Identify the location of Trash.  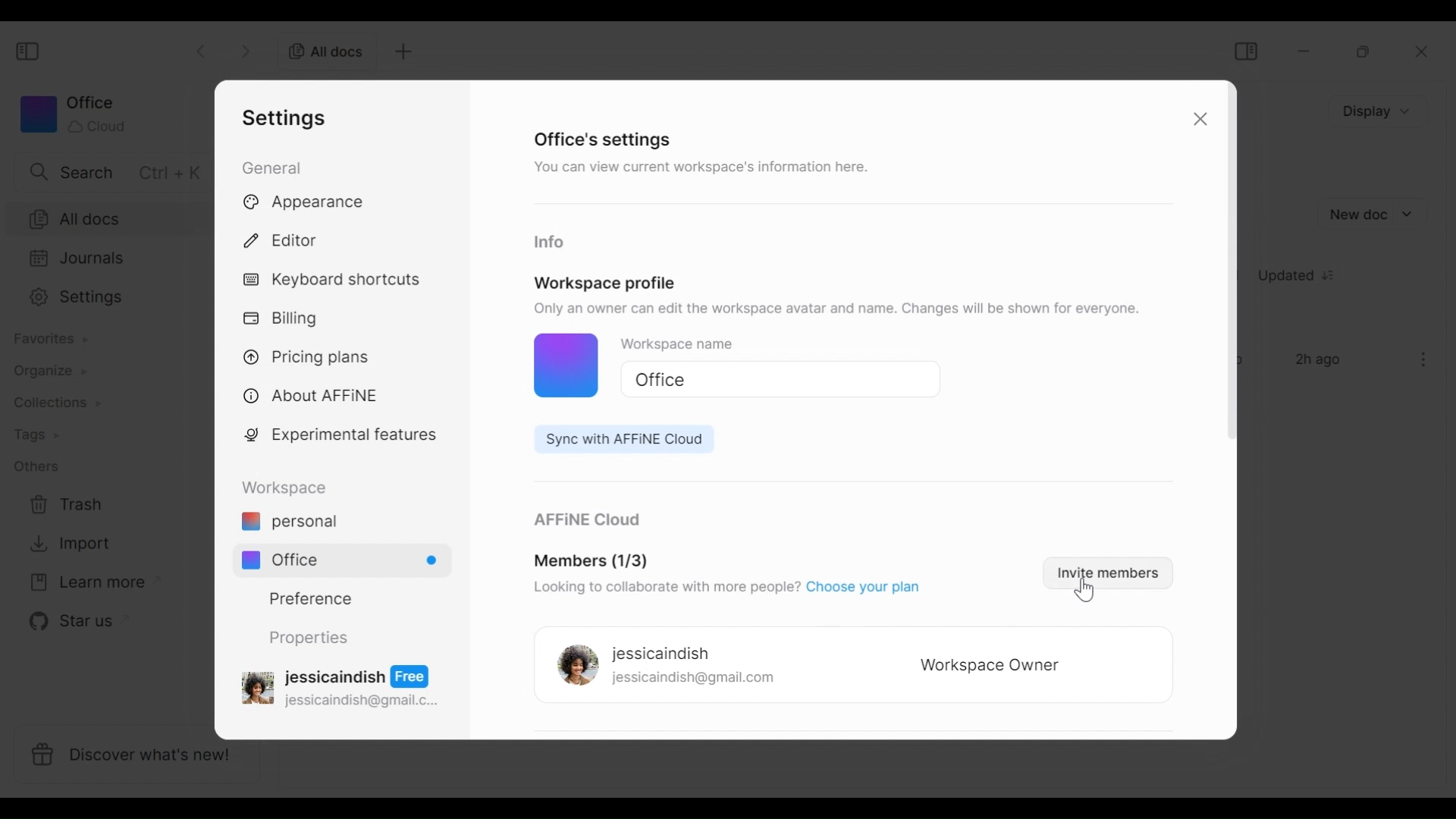
(67, 505).